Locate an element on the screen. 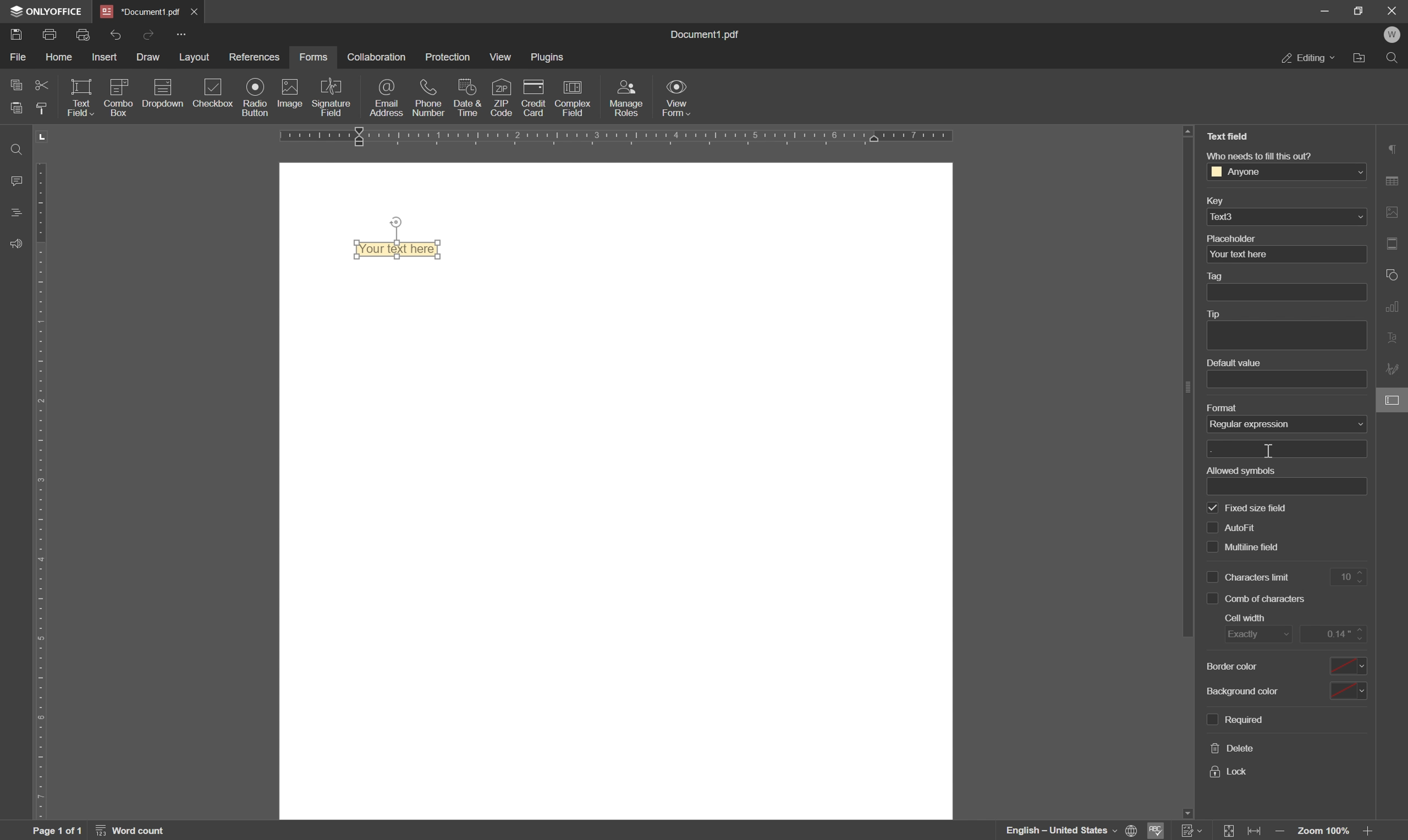 The width and height of the screenshot is (1408, 840). icon is located at coordinates (117, 96).